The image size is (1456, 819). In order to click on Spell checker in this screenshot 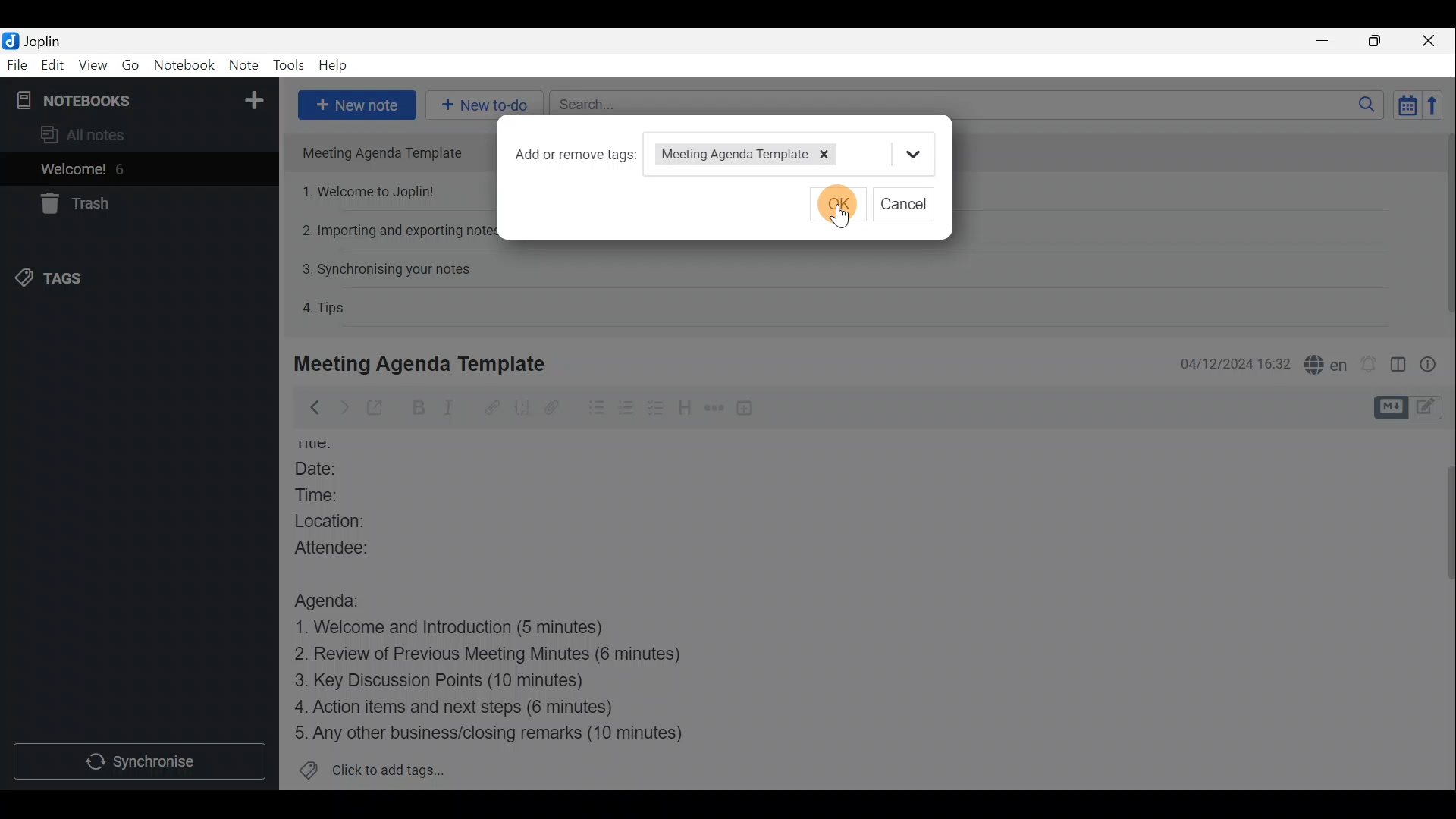, I will do `click(1327, 362)`.